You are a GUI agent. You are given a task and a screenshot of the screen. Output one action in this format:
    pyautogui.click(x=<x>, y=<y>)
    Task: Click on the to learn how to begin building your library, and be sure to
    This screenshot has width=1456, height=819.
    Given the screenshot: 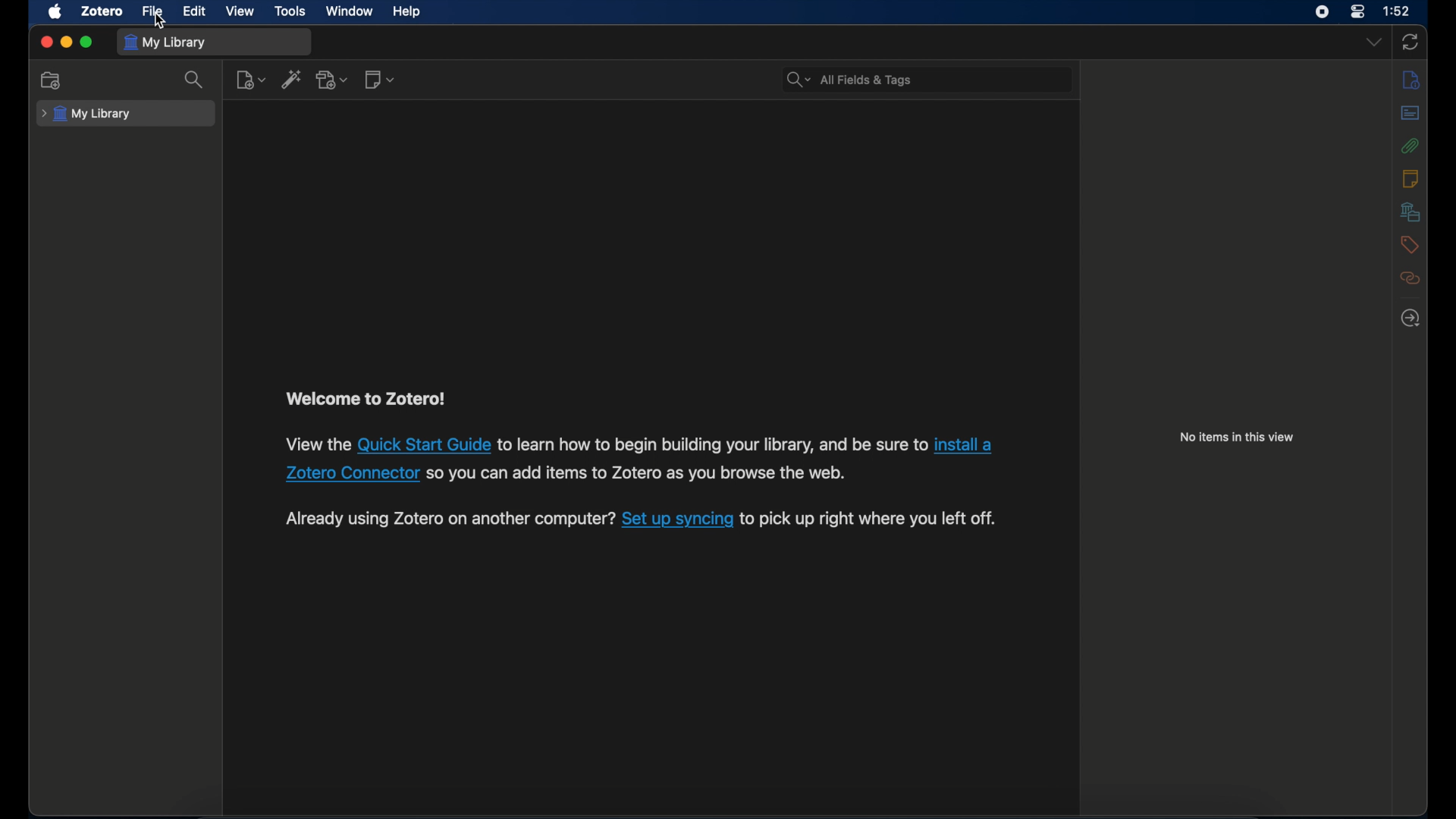 What is the action you would take?
    pyautogui.click(x=712, y=442)
    